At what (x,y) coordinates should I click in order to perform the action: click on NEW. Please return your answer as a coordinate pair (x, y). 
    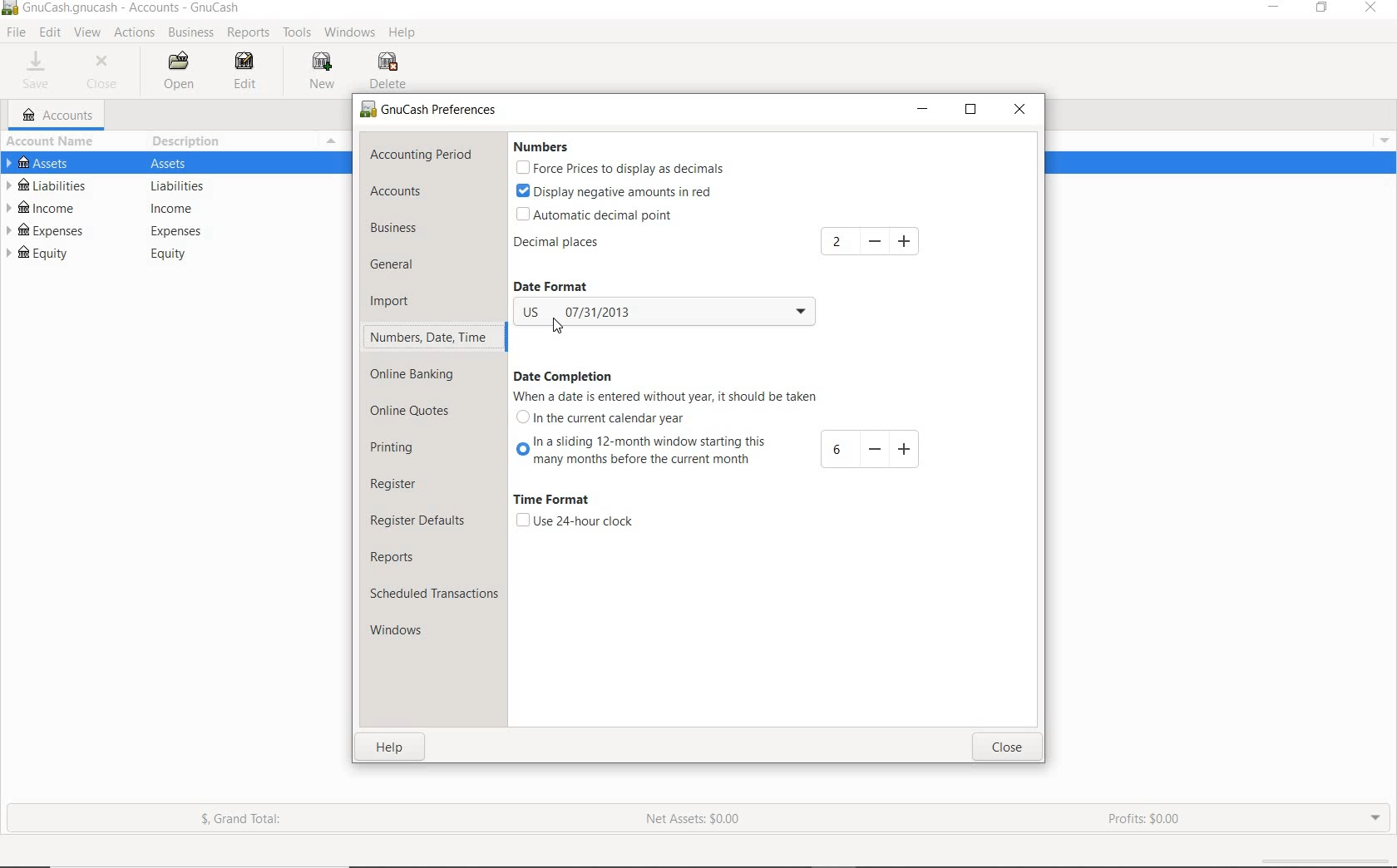
    Looking at the image, I should click on (325, 71).